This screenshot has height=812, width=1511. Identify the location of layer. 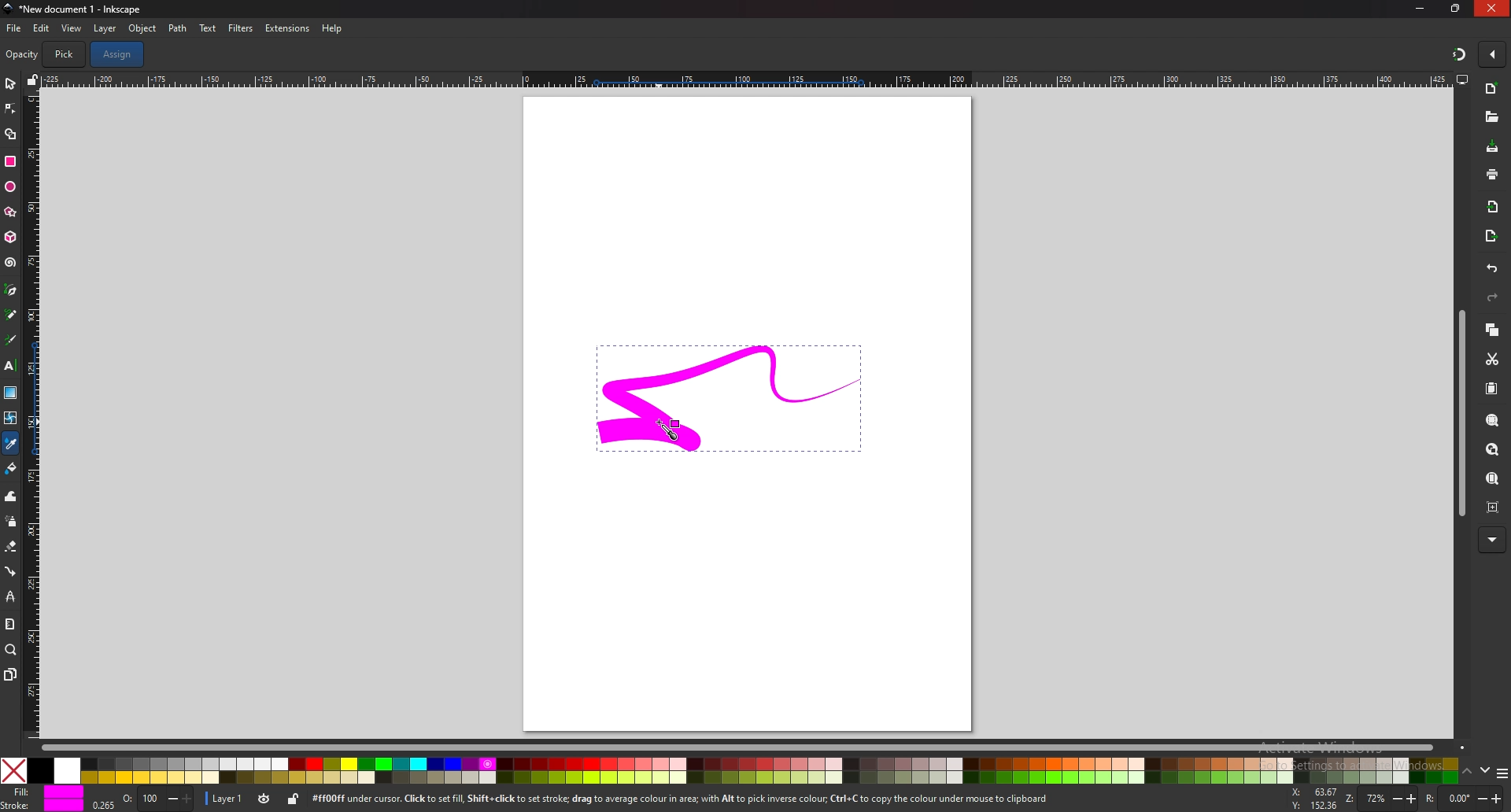
(222, 799).